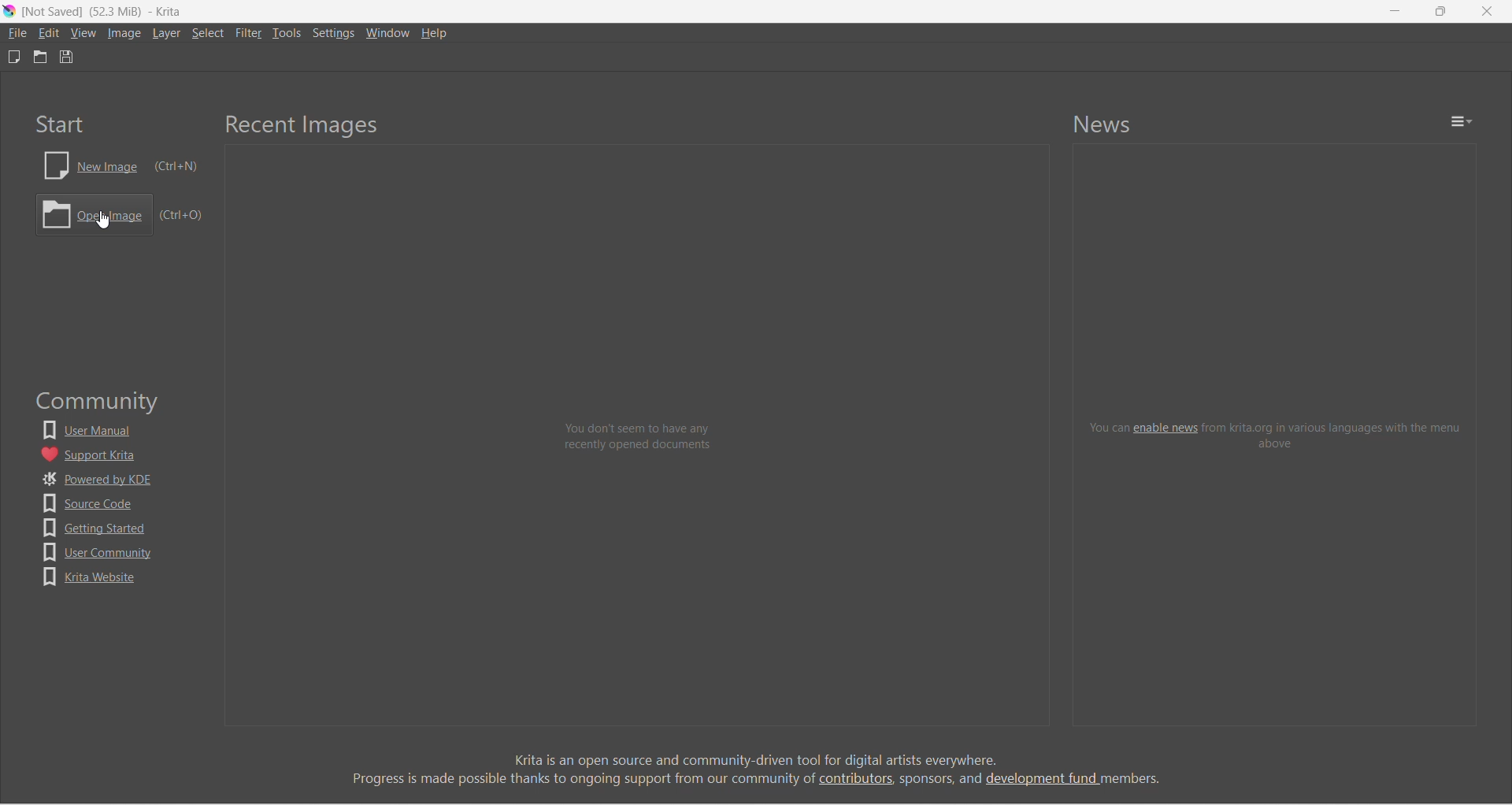  Describe the element at coordinates (125, 33) in the screenshot. I see `image` at that location.